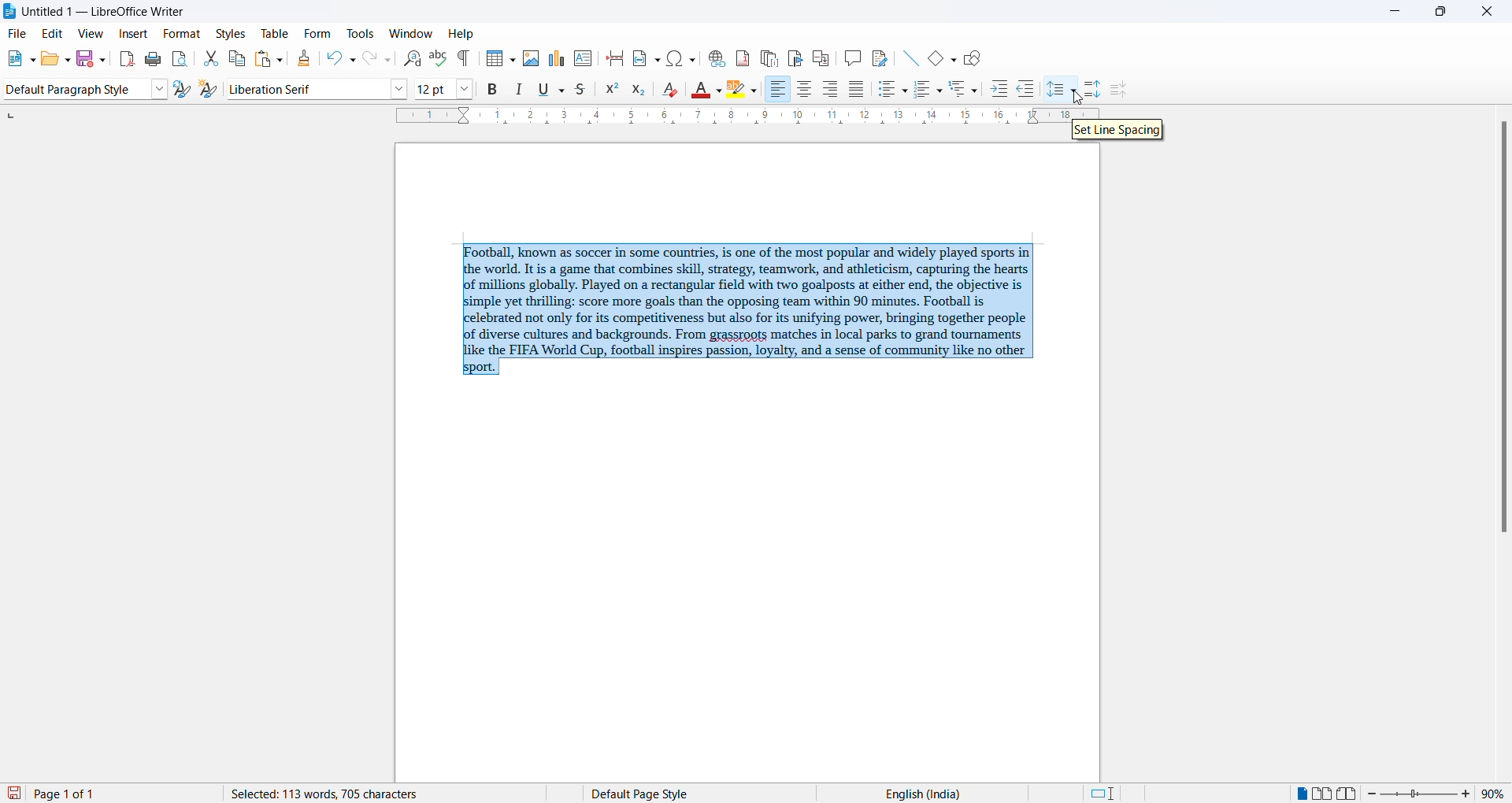 The image size is (1512, 803). What do you see at coordinates (720, 118) in the screenshot?
I see `scaling` at bounding box center [720, 118].